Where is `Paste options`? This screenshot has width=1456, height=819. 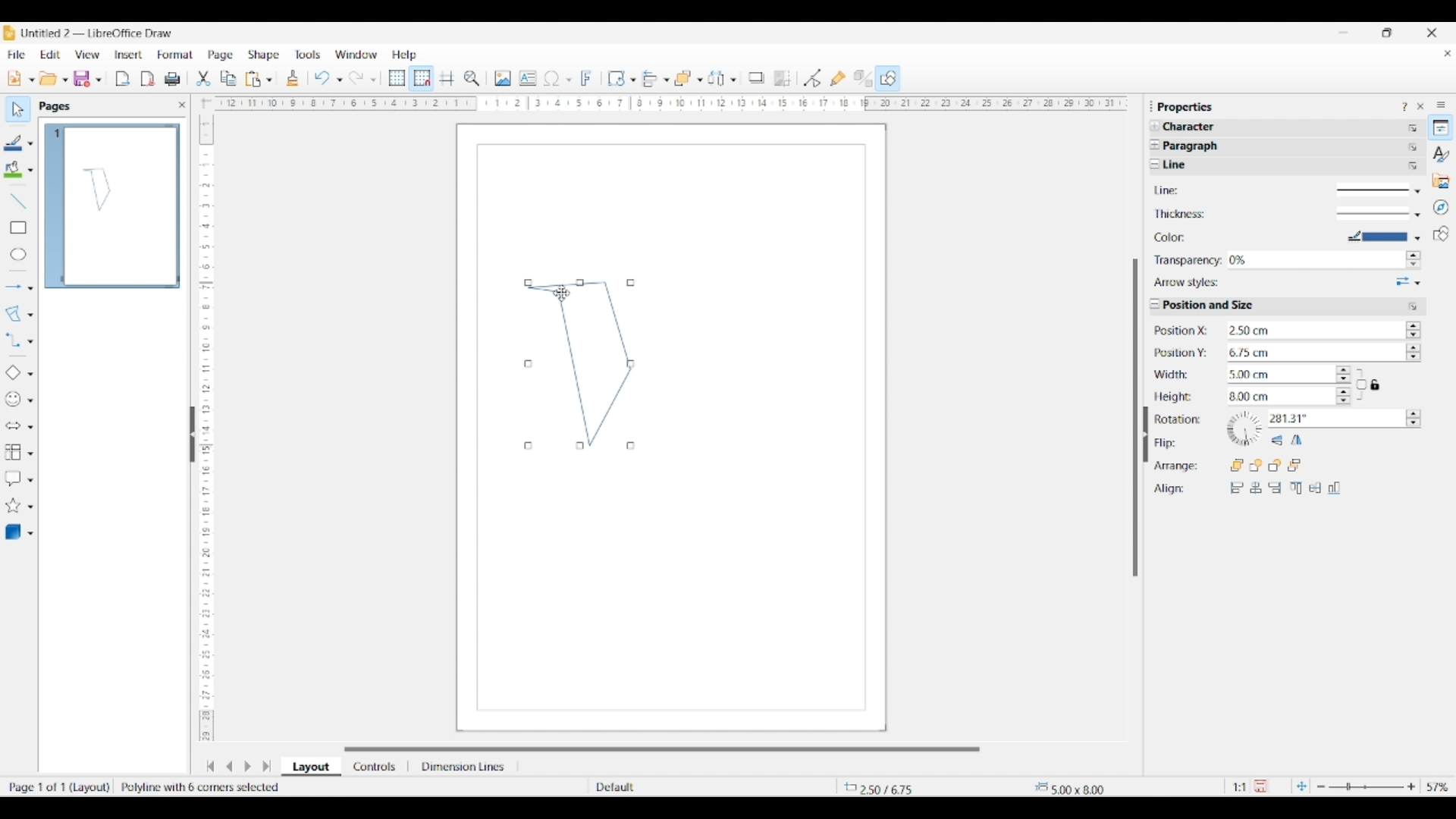
Paste options is located at coordinates (269, 80).